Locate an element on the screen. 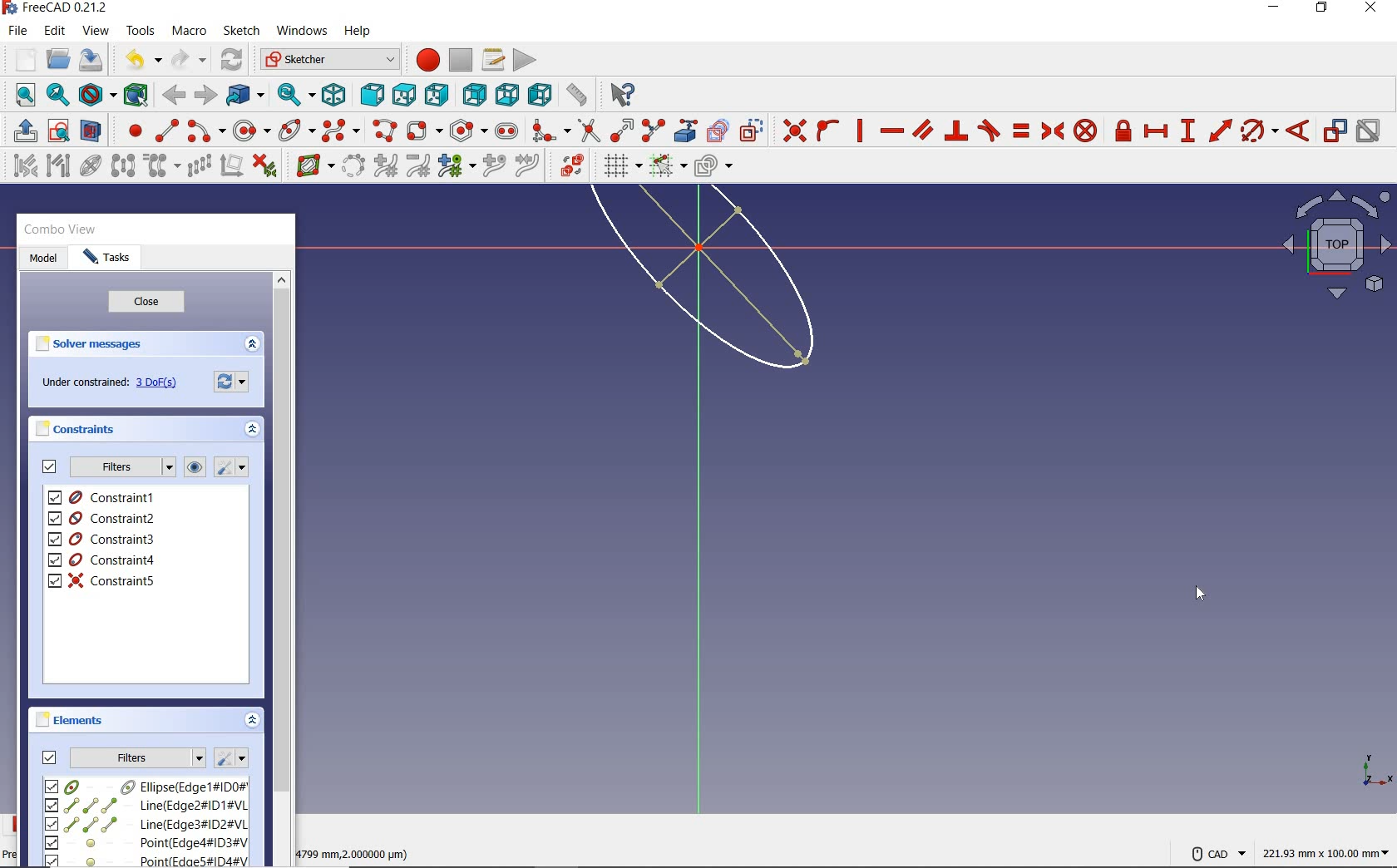 The image size is (1397, 868). go to linked object is located at coordinates (245, 94).